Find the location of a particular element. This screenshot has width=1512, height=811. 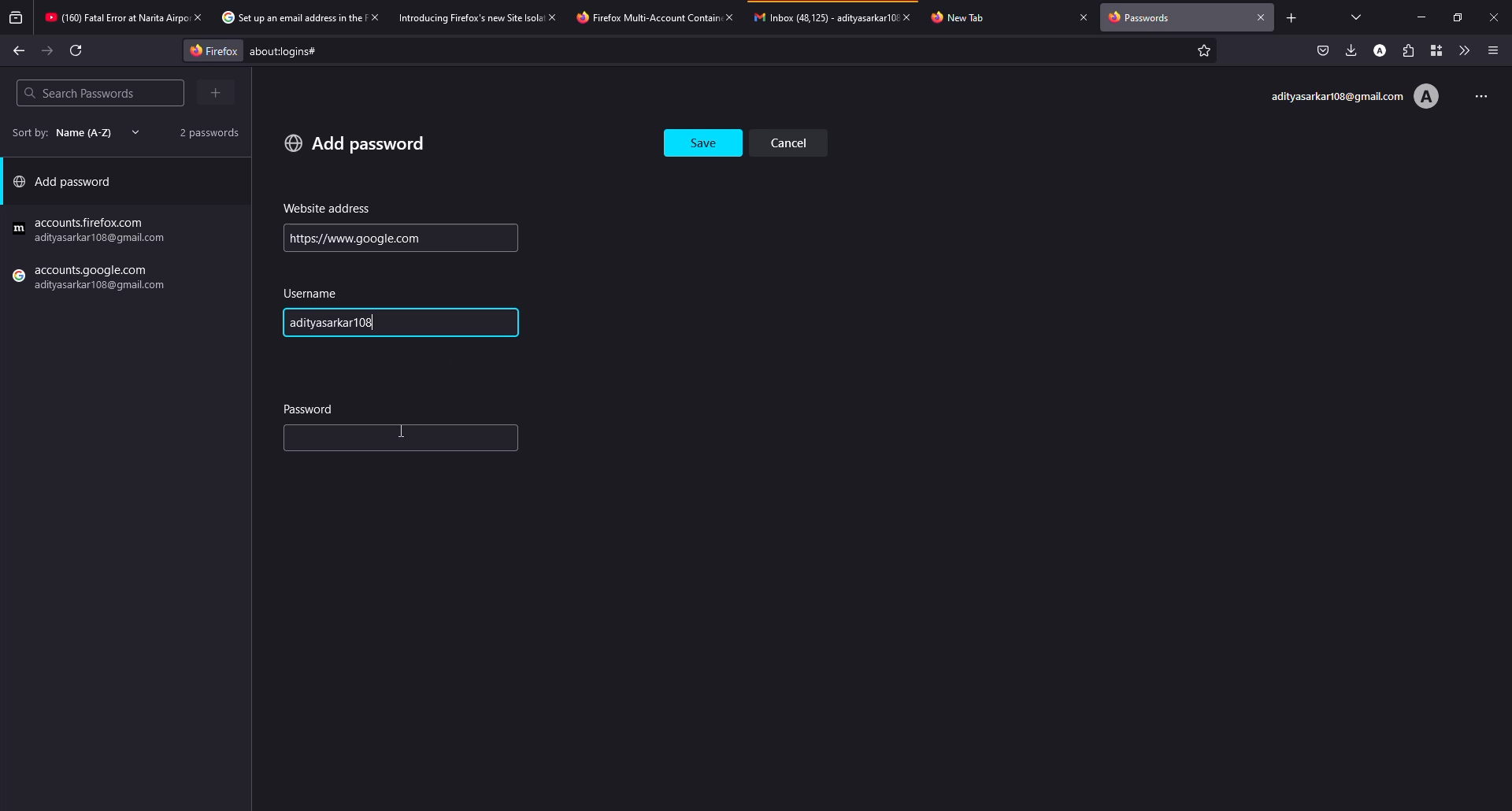

close is located at coordinates (1494, 17).